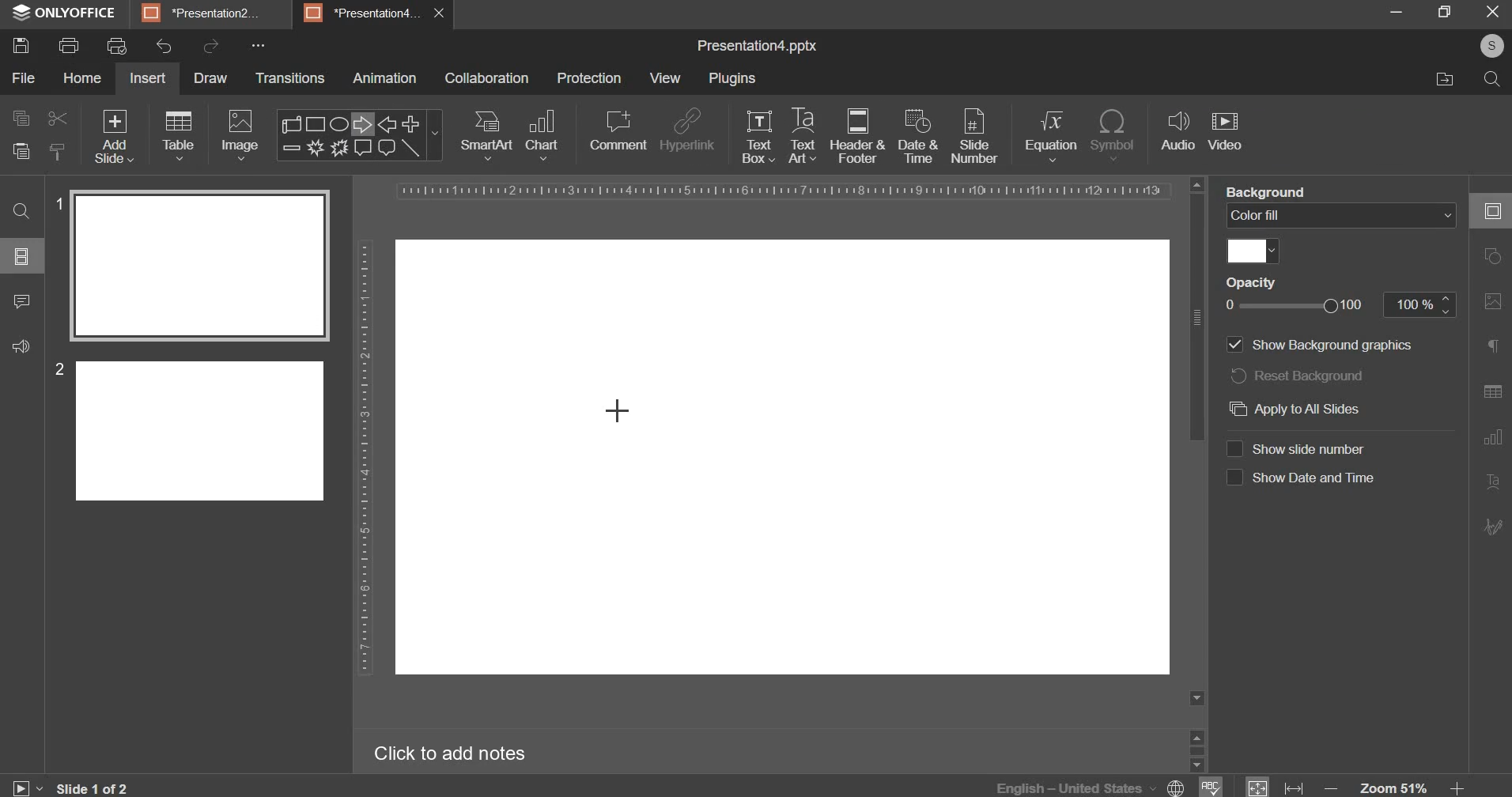 This screenshot has width=1512, height=797. What do you see at coordinates (56, 150) in the screenshot?
I see `copy stlye` at bounding box center [56, 150].